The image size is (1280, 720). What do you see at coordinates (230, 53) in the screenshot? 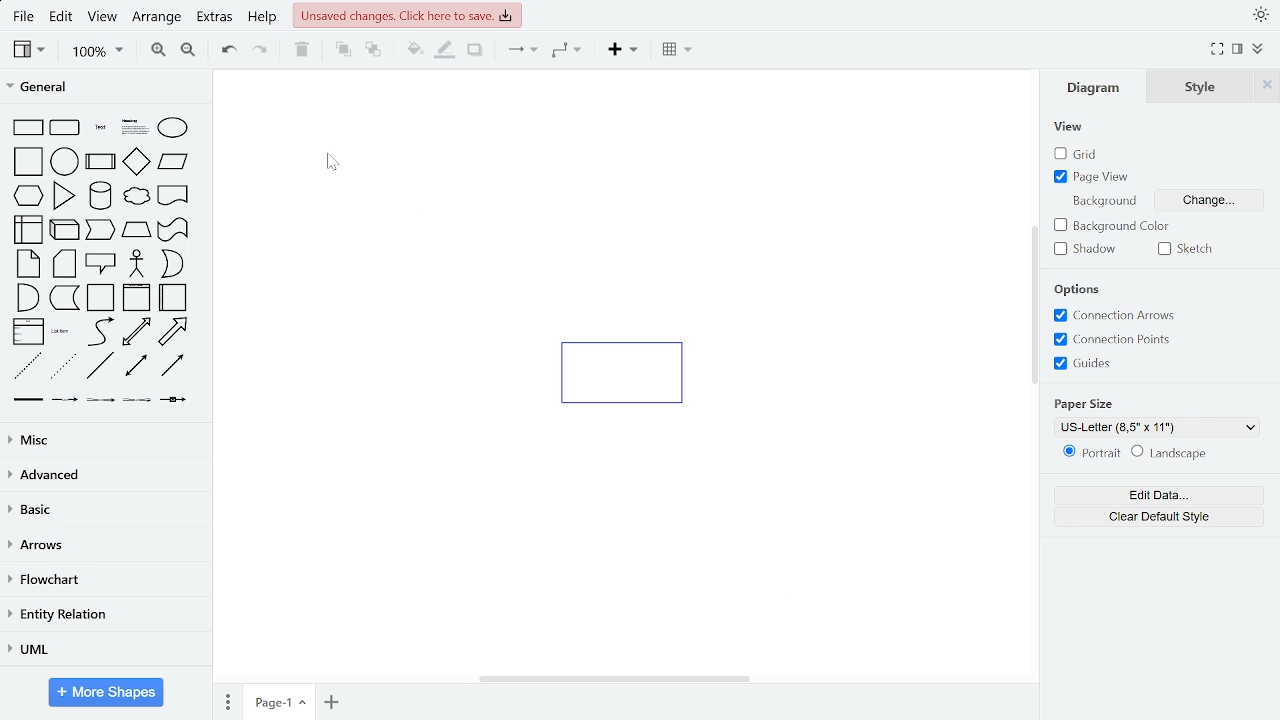
I see `undo` at bounding box center [230, 53].